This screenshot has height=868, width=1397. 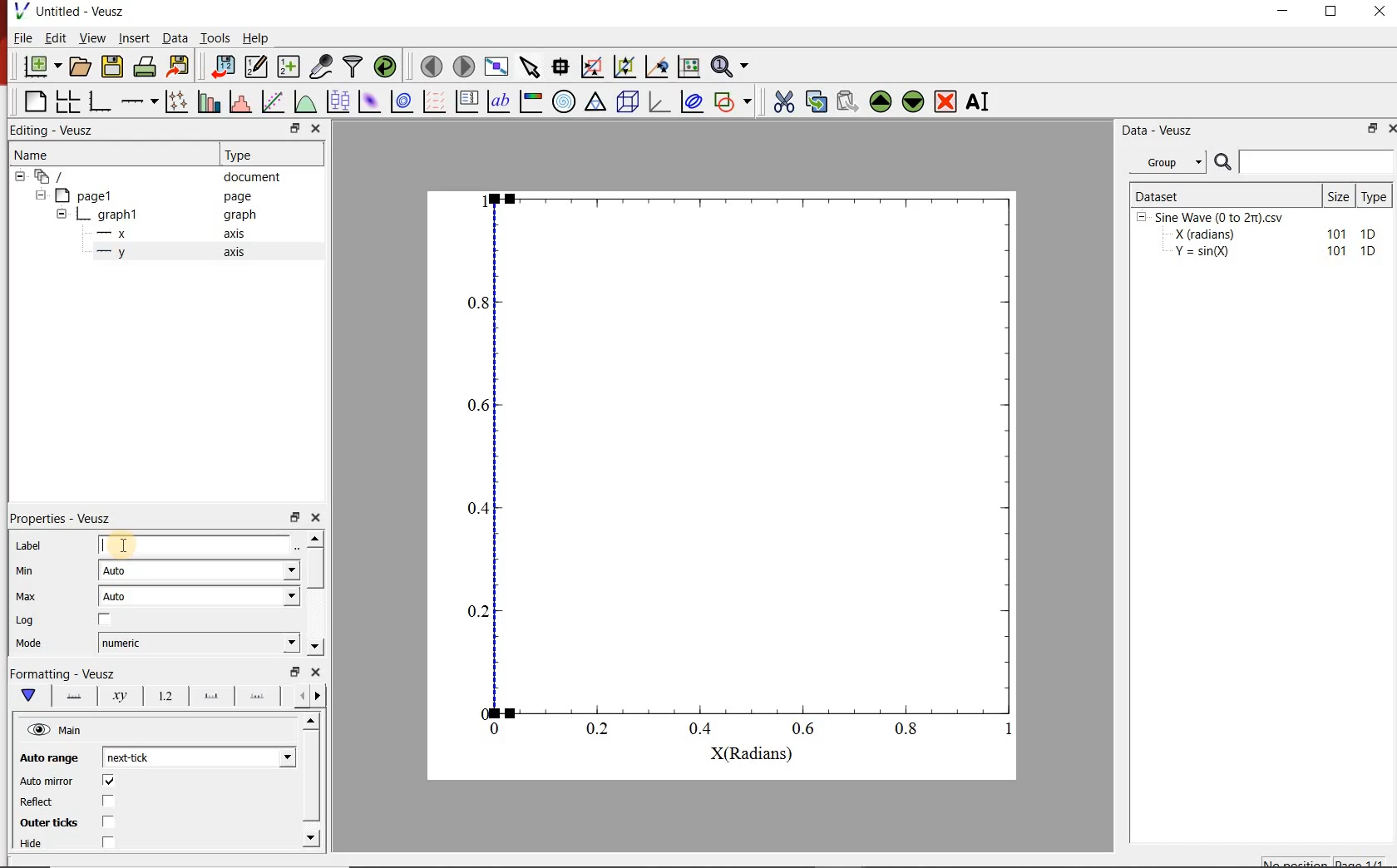 What do you see at coordinates (881, 101) in the screenshot?
I see `move up` at bounding box center [881, 101].